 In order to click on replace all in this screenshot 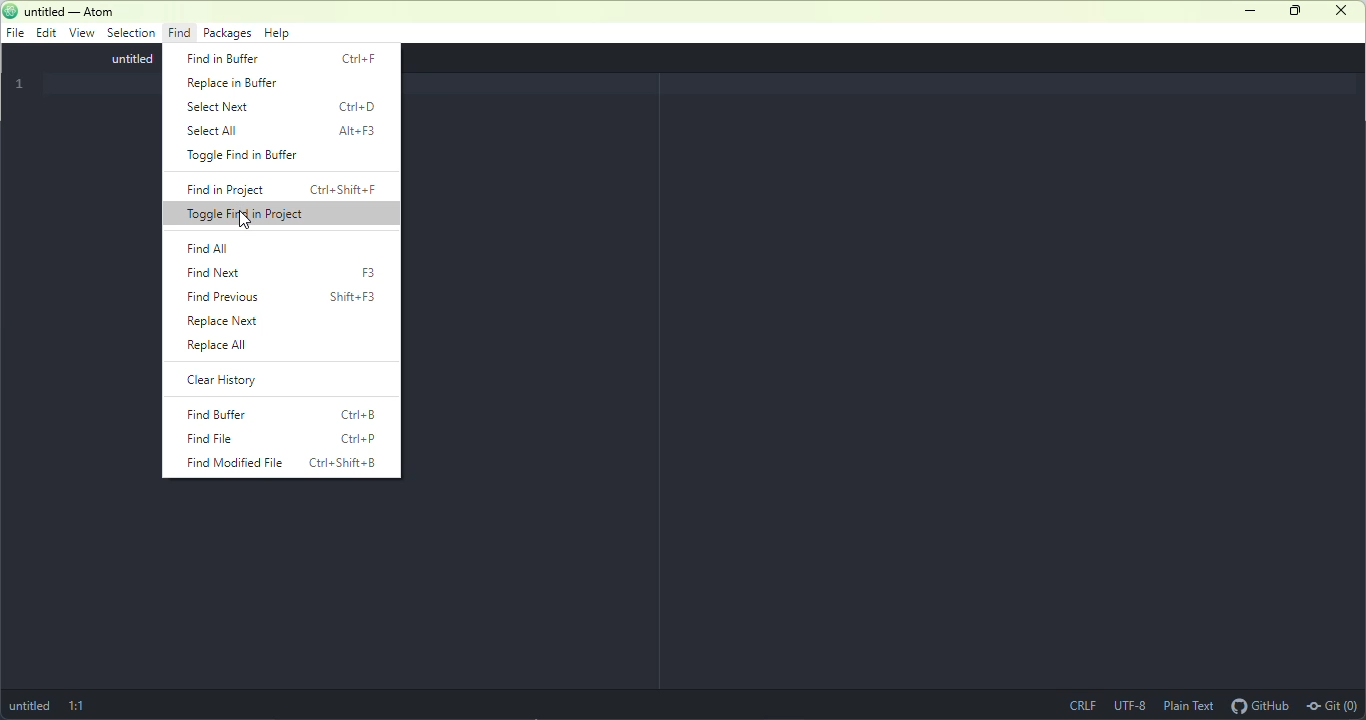, I will do `click(272, 349)`.